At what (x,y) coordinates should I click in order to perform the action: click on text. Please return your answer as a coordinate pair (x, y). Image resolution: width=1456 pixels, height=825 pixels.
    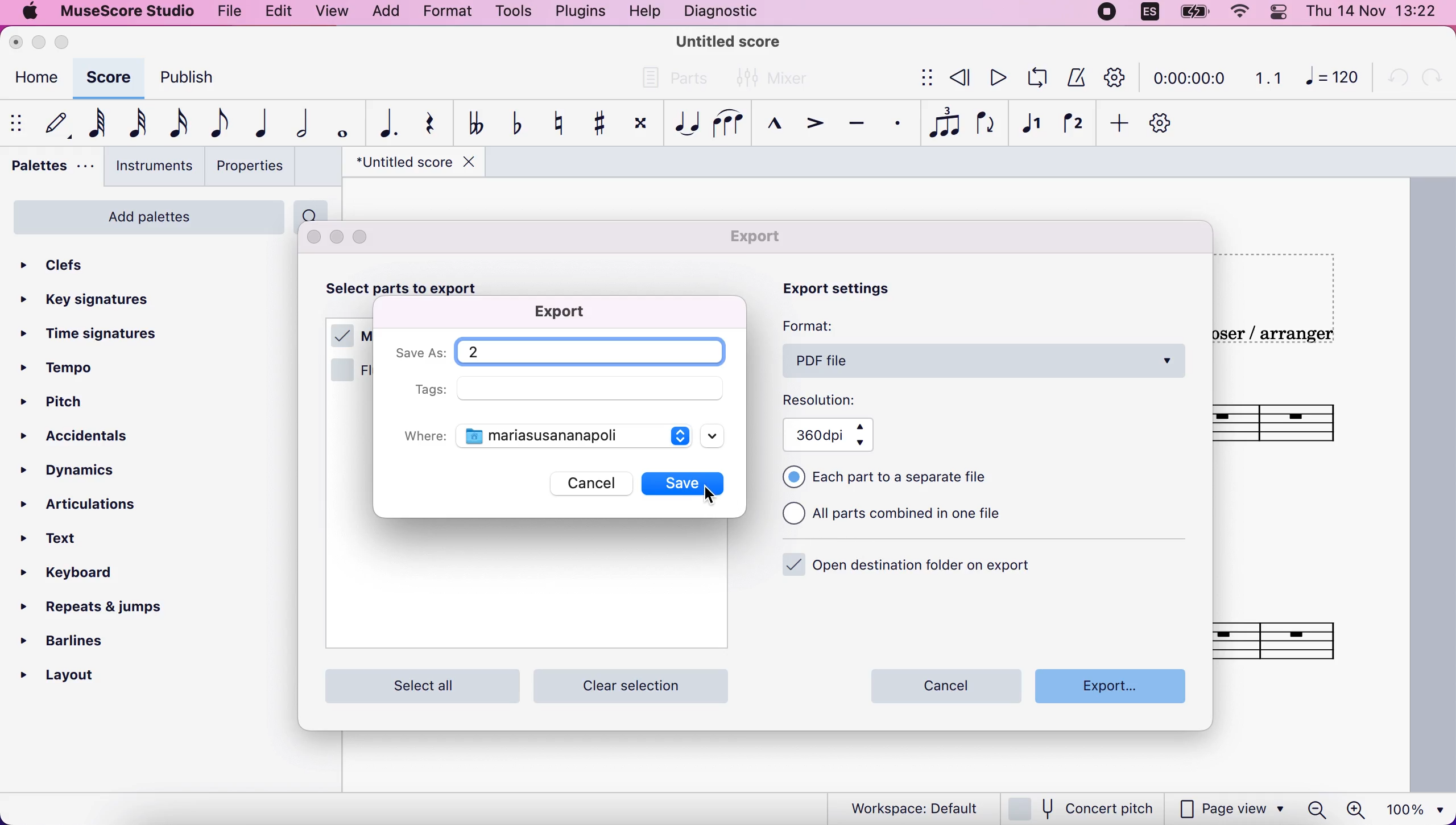
    Looking at the image, I should click on (69, 542).